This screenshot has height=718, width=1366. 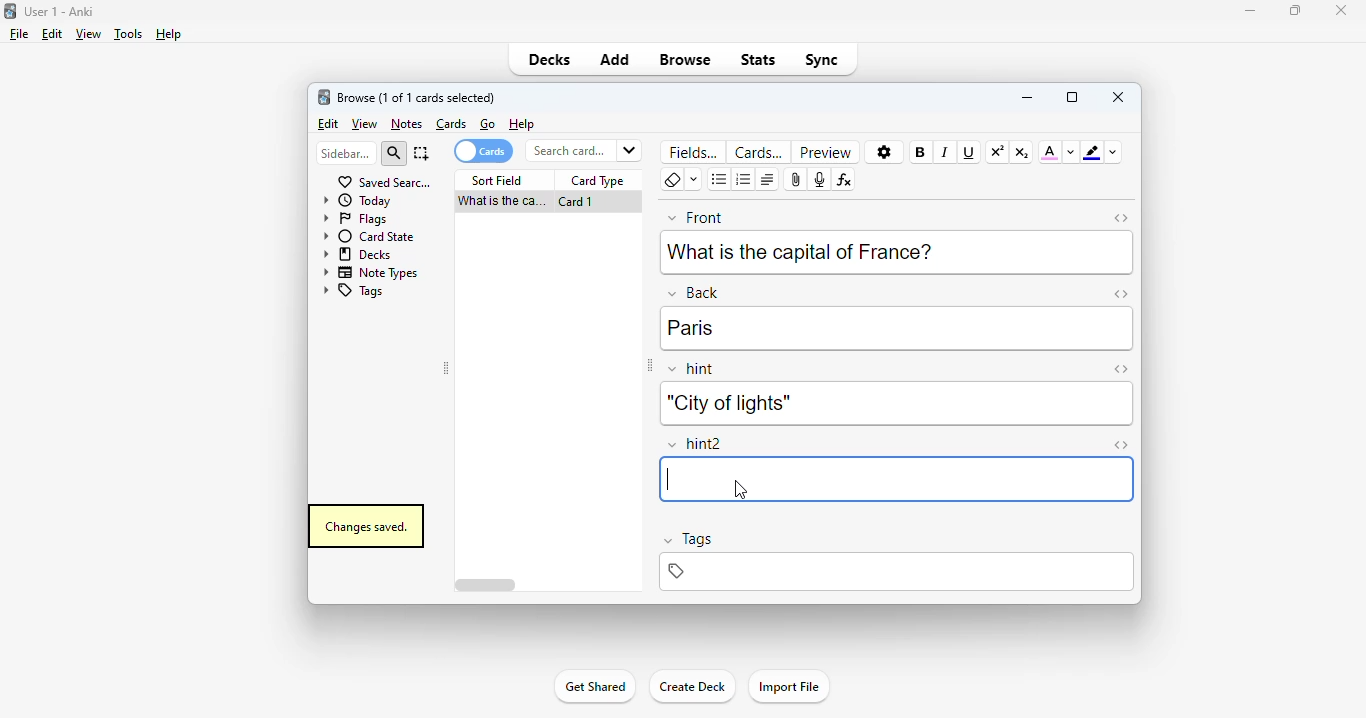 I want to click on superscript, so click(x=997, y=152).